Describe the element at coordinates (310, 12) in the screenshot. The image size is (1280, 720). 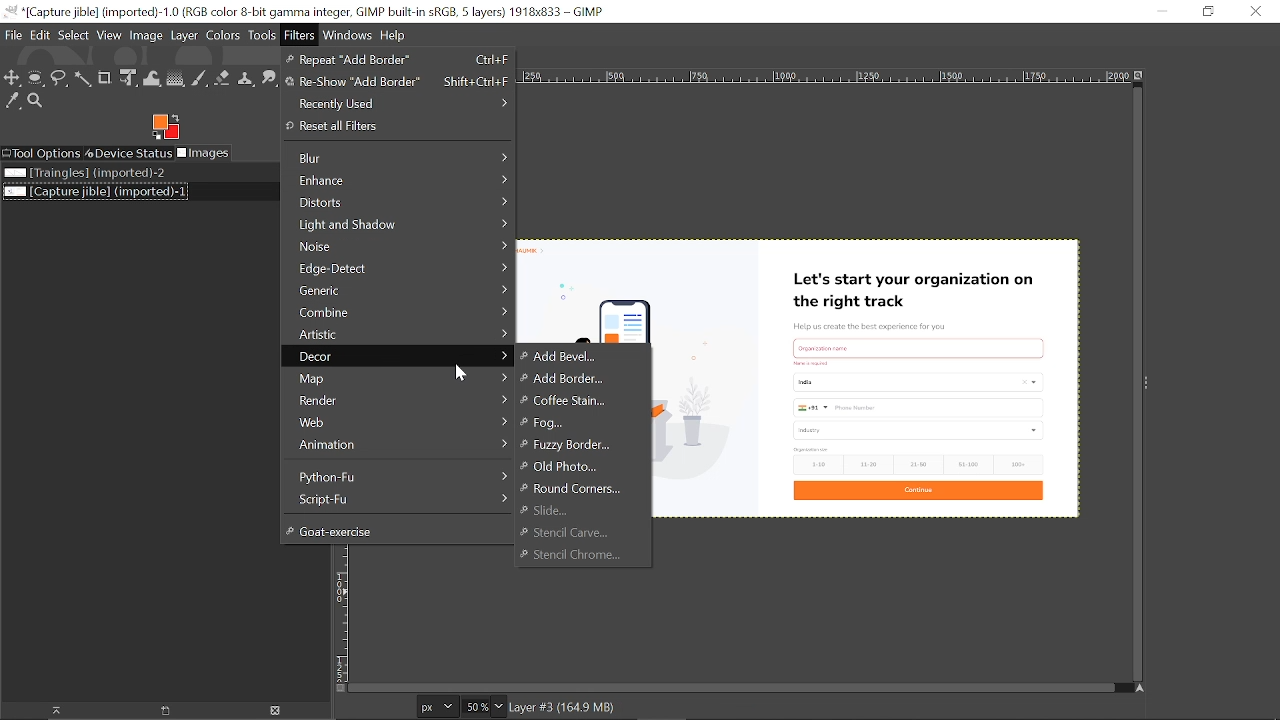
I see `Current window` at that location.